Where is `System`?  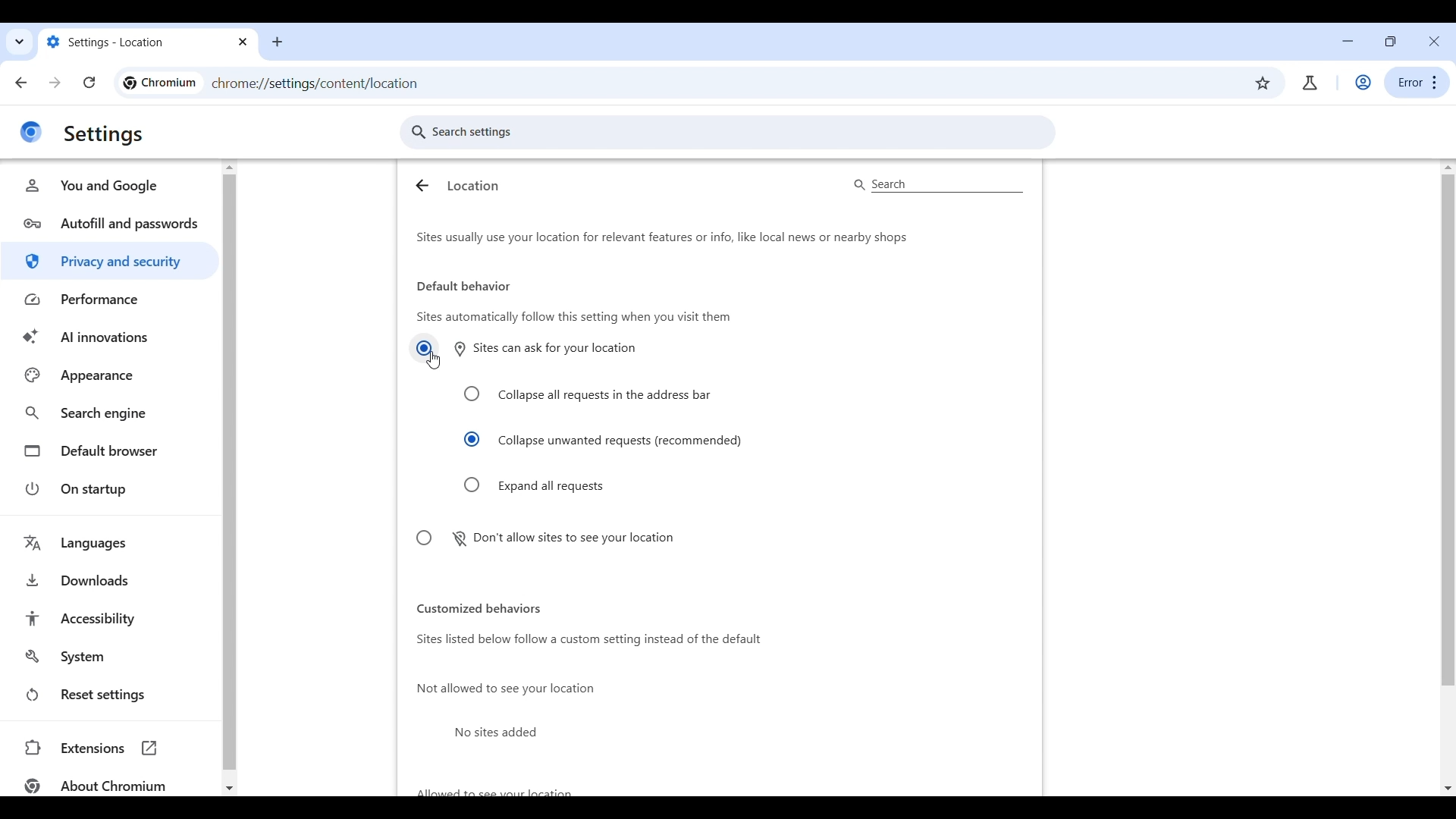
System is located at coordinates (108, 657).